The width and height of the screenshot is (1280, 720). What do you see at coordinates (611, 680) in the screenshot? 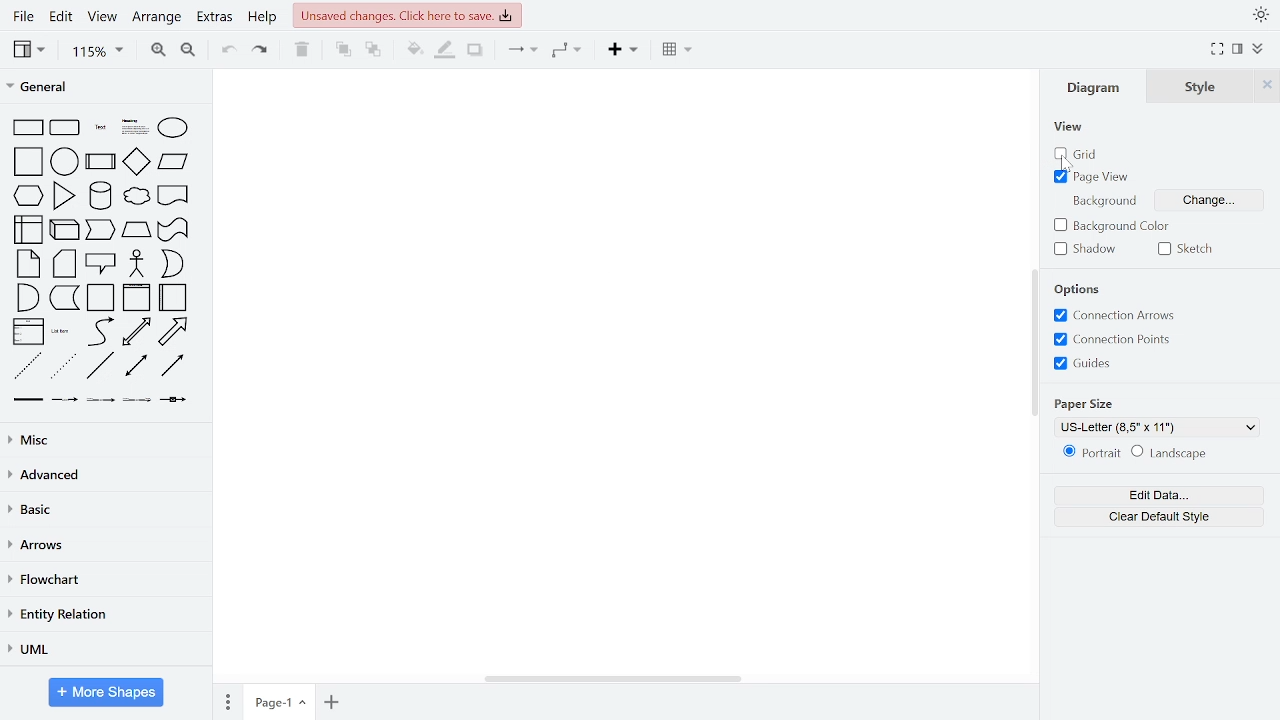
I see `horizontal scrollbar` at bounding box center [611, 680].